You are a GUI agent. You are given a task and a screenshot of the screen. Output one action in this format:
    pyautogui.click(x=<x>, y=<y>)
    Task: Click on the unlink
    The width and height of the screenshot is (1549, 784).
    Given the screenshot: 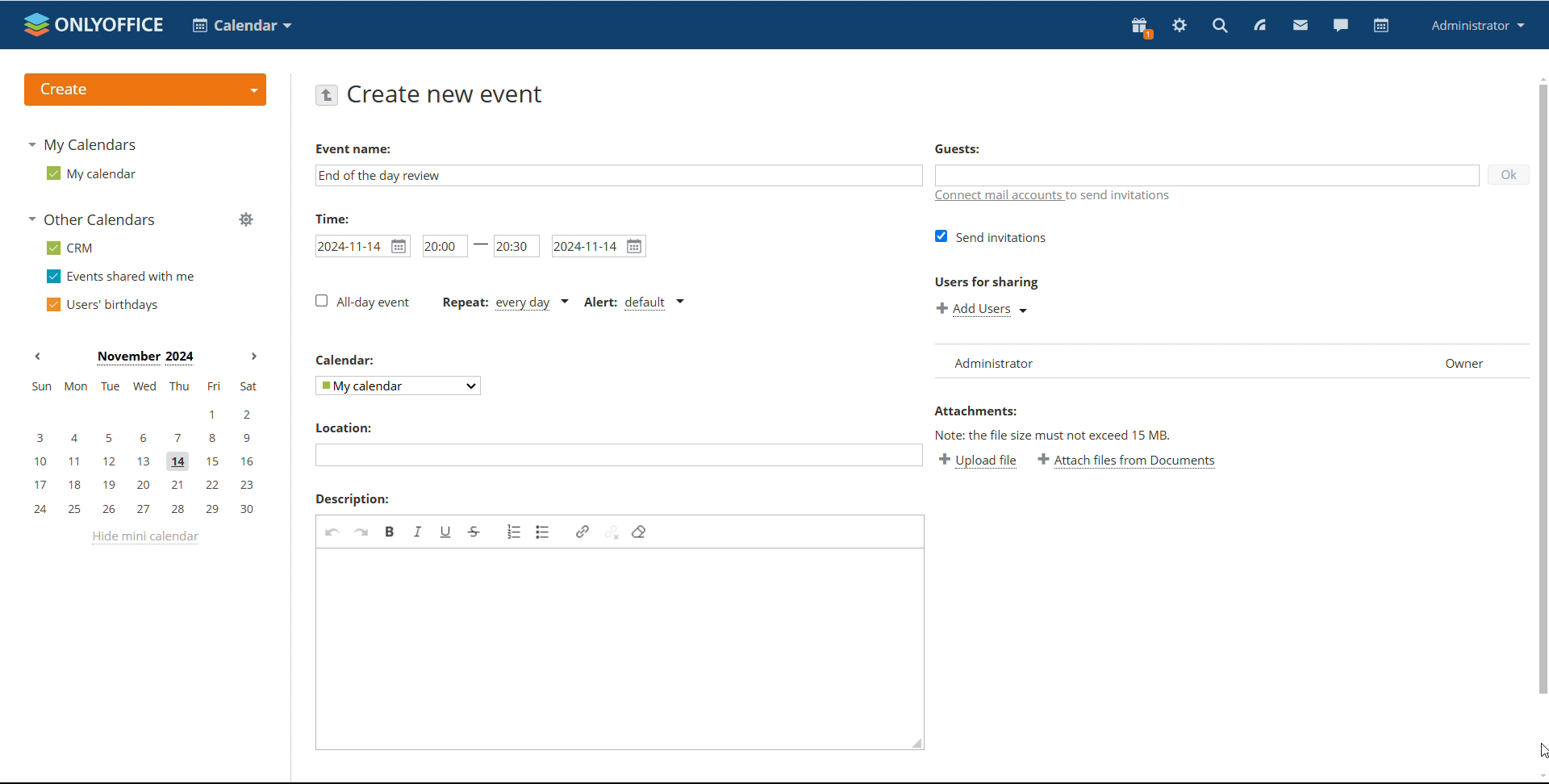 What is the action you would take?
    pyautogui.click(x=612, y=531)
    